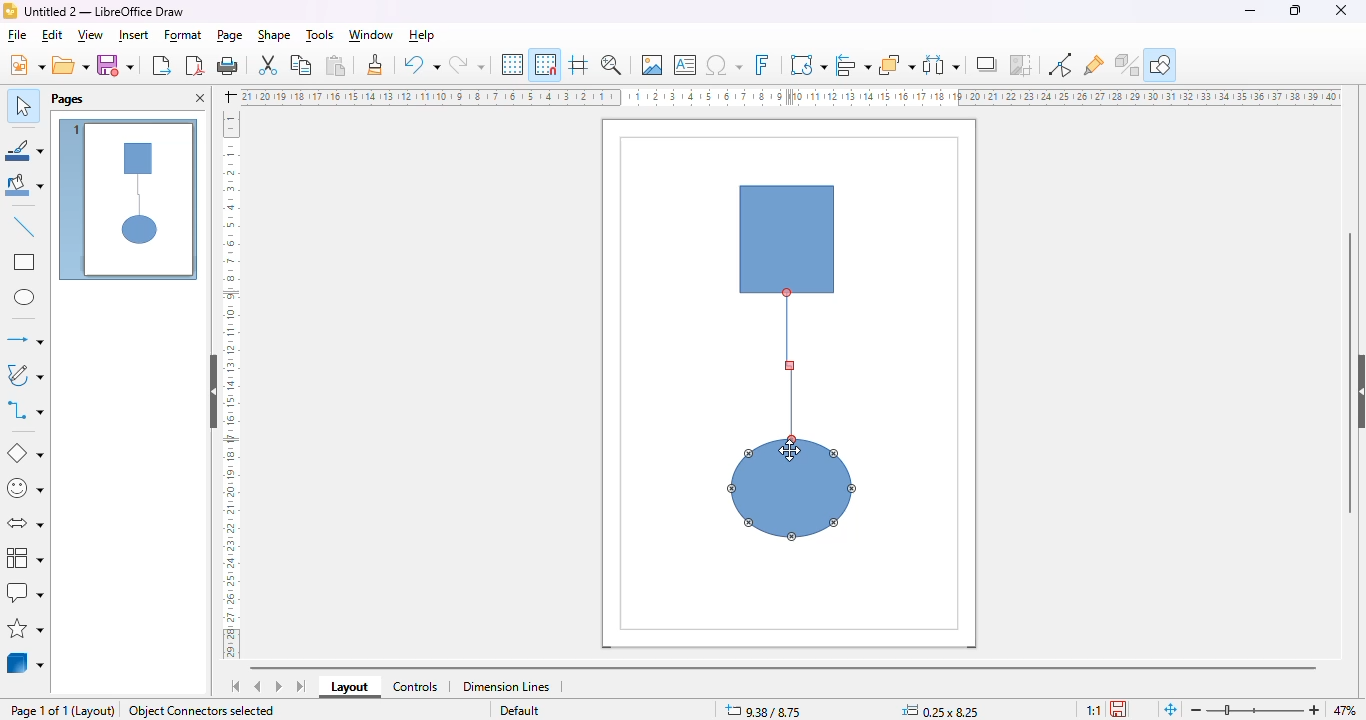  What do you see at coordinates (53, 36) in the screenshot?
I see `edit` at bounding box center [53, 36].